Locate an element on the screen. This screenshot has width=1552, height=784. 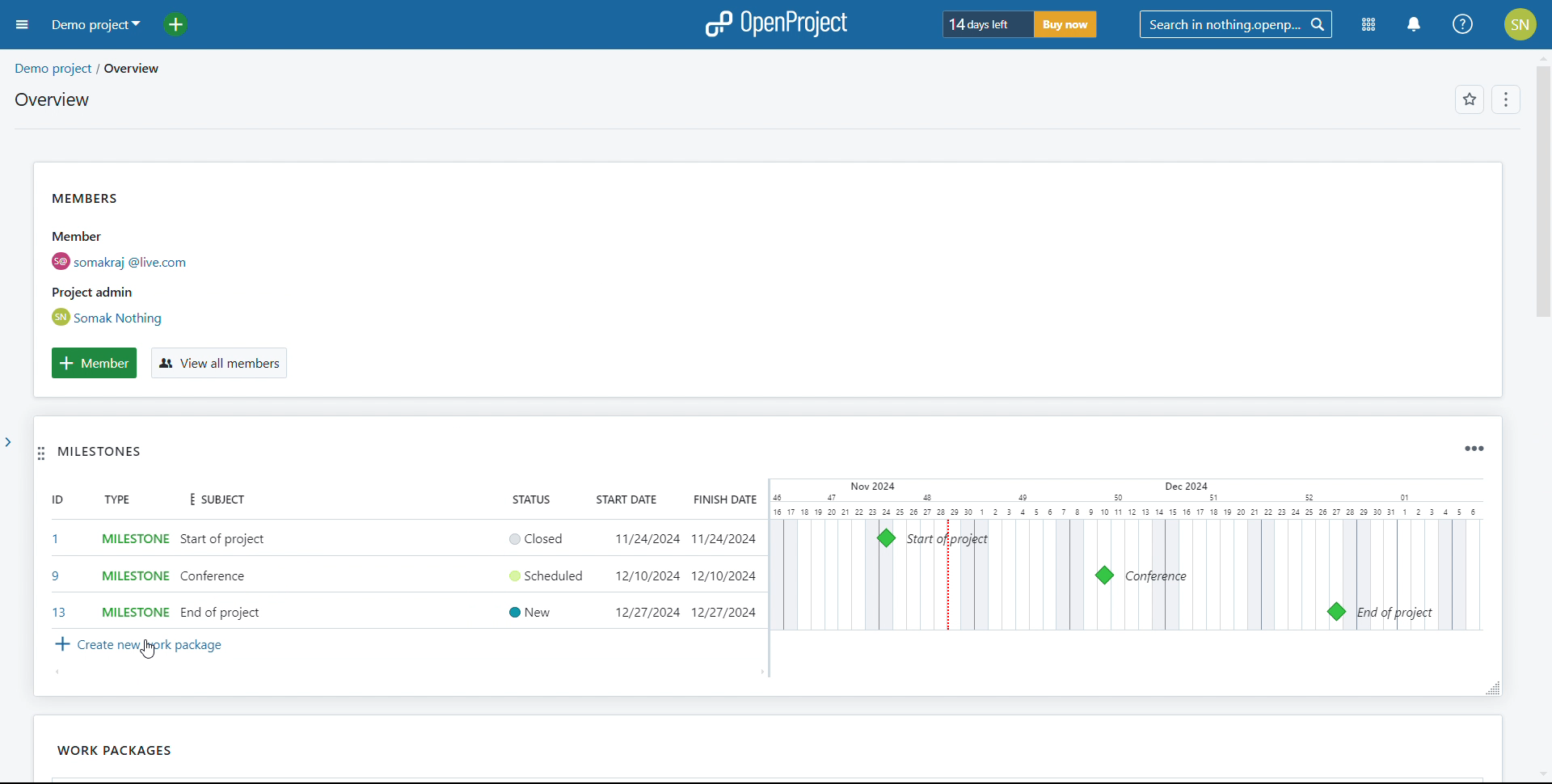
finish date is located at coordinates (721, 499).